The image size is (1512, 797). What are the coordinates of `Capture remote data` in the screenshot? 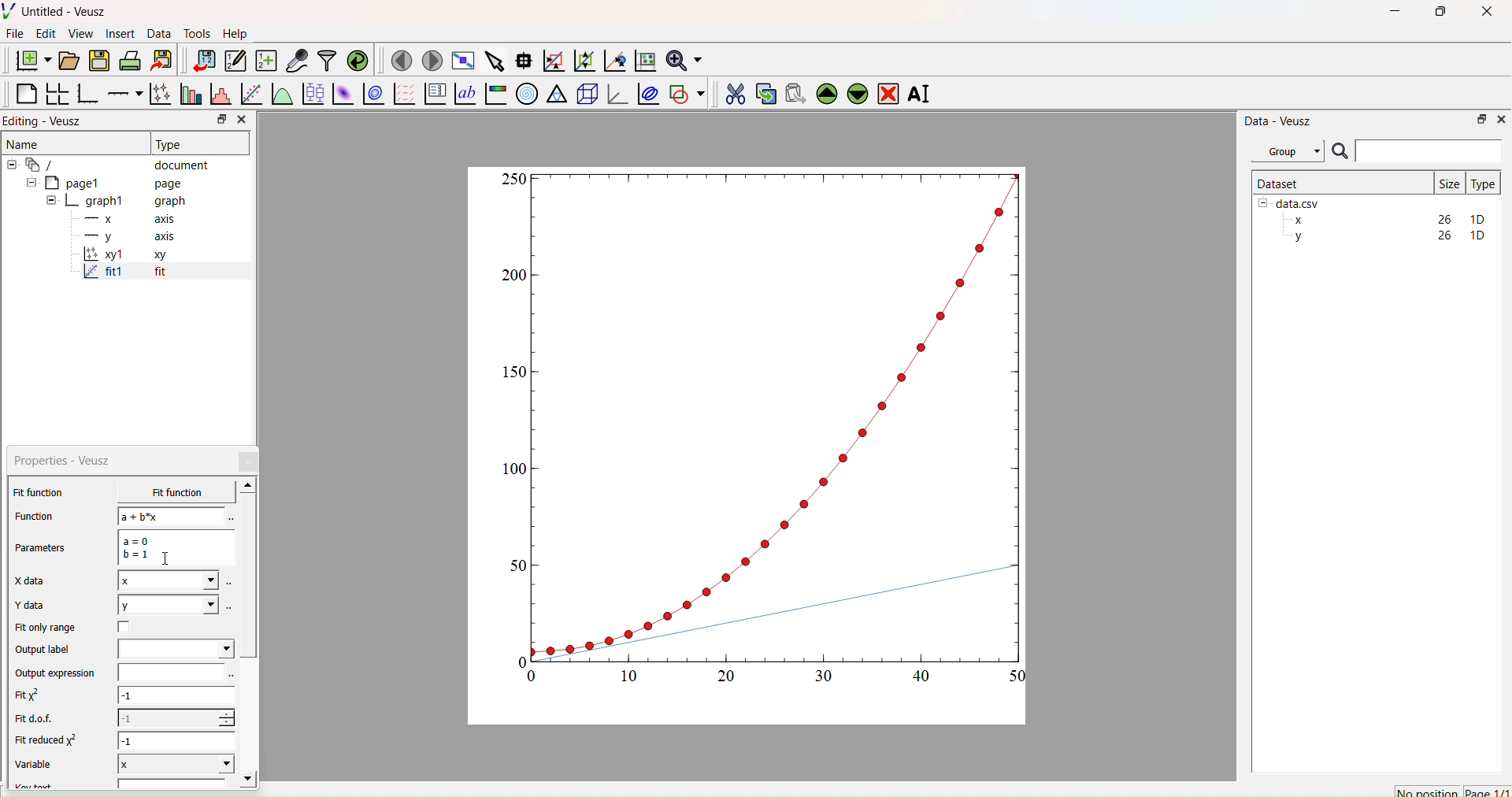 It's located at (297, 61).